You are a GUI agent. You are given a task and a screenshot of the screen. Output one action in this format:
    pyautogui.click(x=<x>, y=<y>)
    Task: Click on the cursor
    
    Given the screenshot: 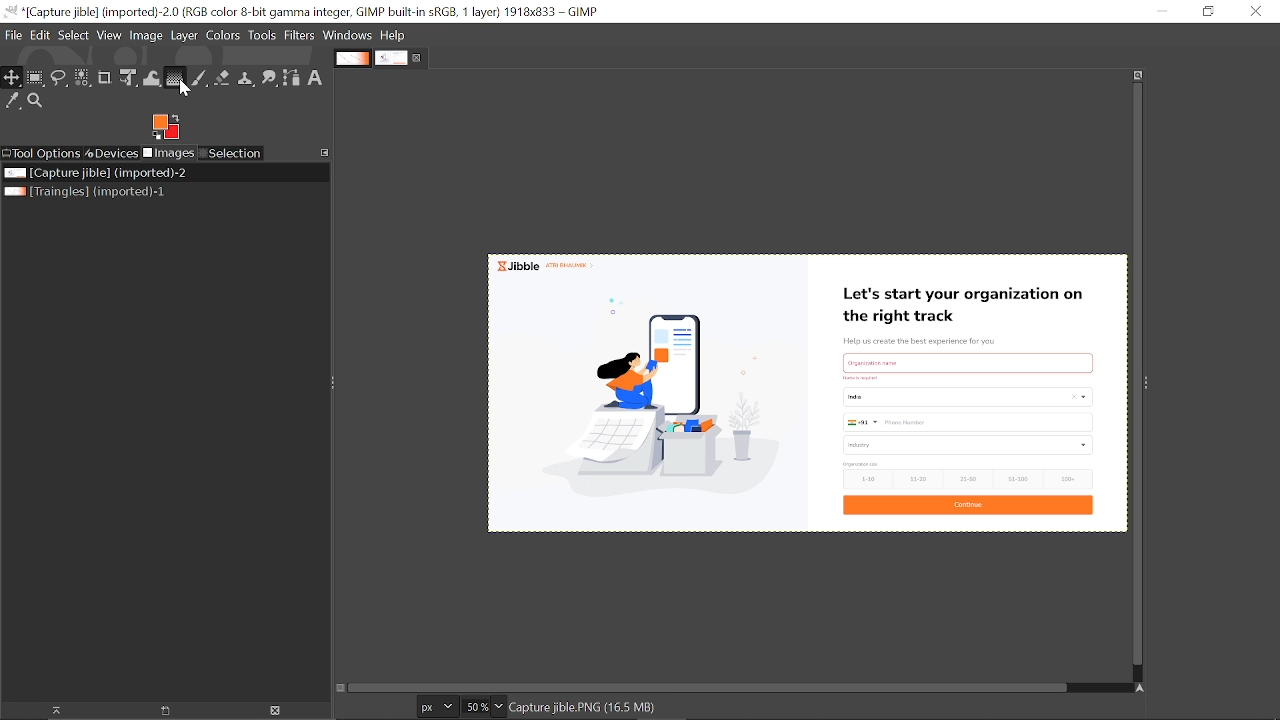 What is the action you would take?
    pyautogui.click(x=189, y=91)
    